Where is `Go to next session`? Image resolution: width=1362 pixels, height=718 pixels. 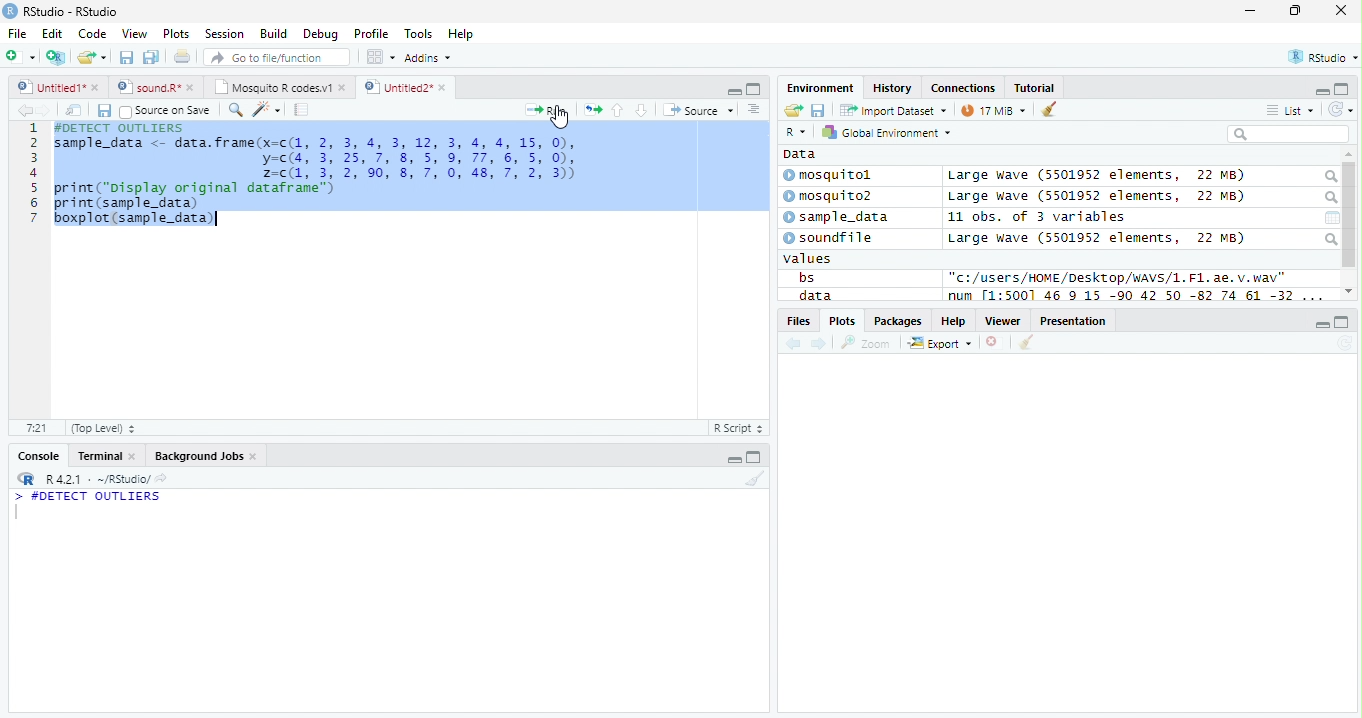
Go to next session is located at coordinates (642, 111).